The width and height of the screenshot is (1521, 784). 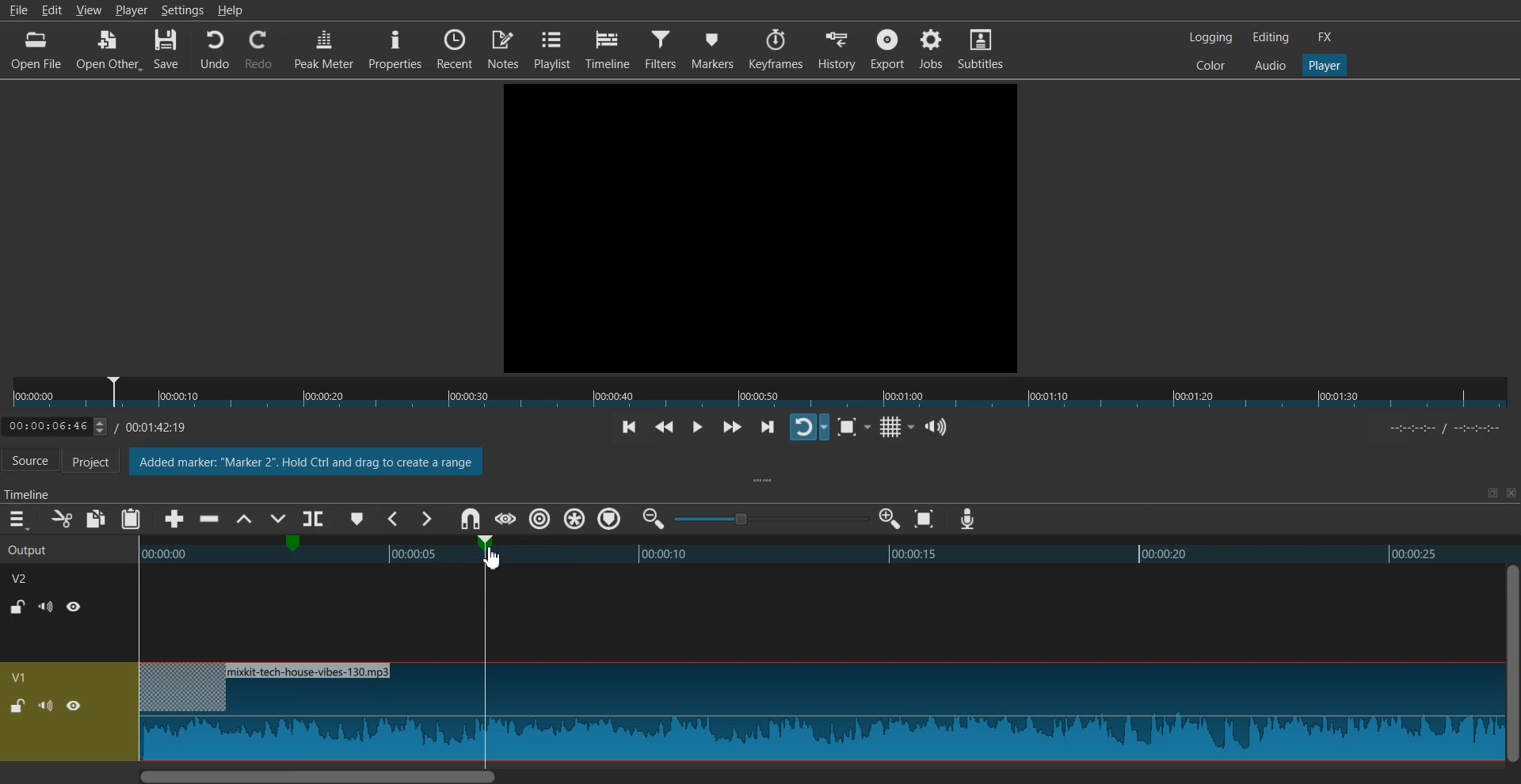 I want to click on Subtitles, so click(x=981, y=48).